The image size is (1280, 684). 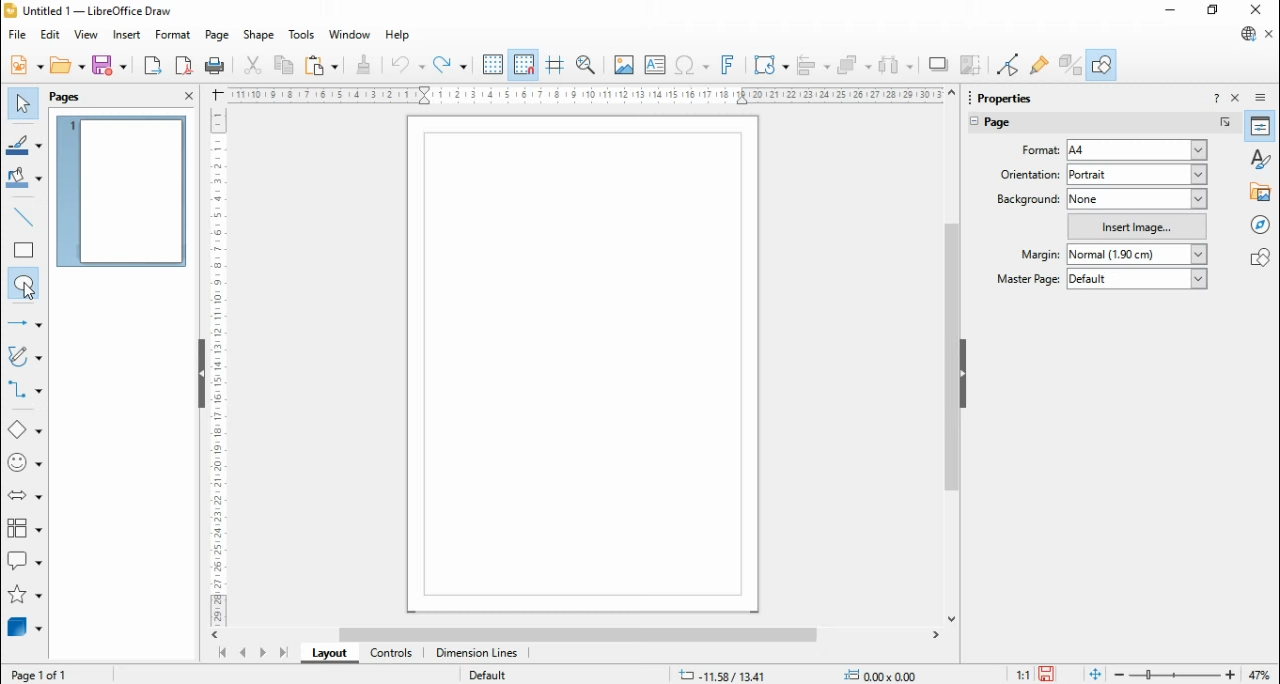 I want to click on Default, so click(x=487, y=673).